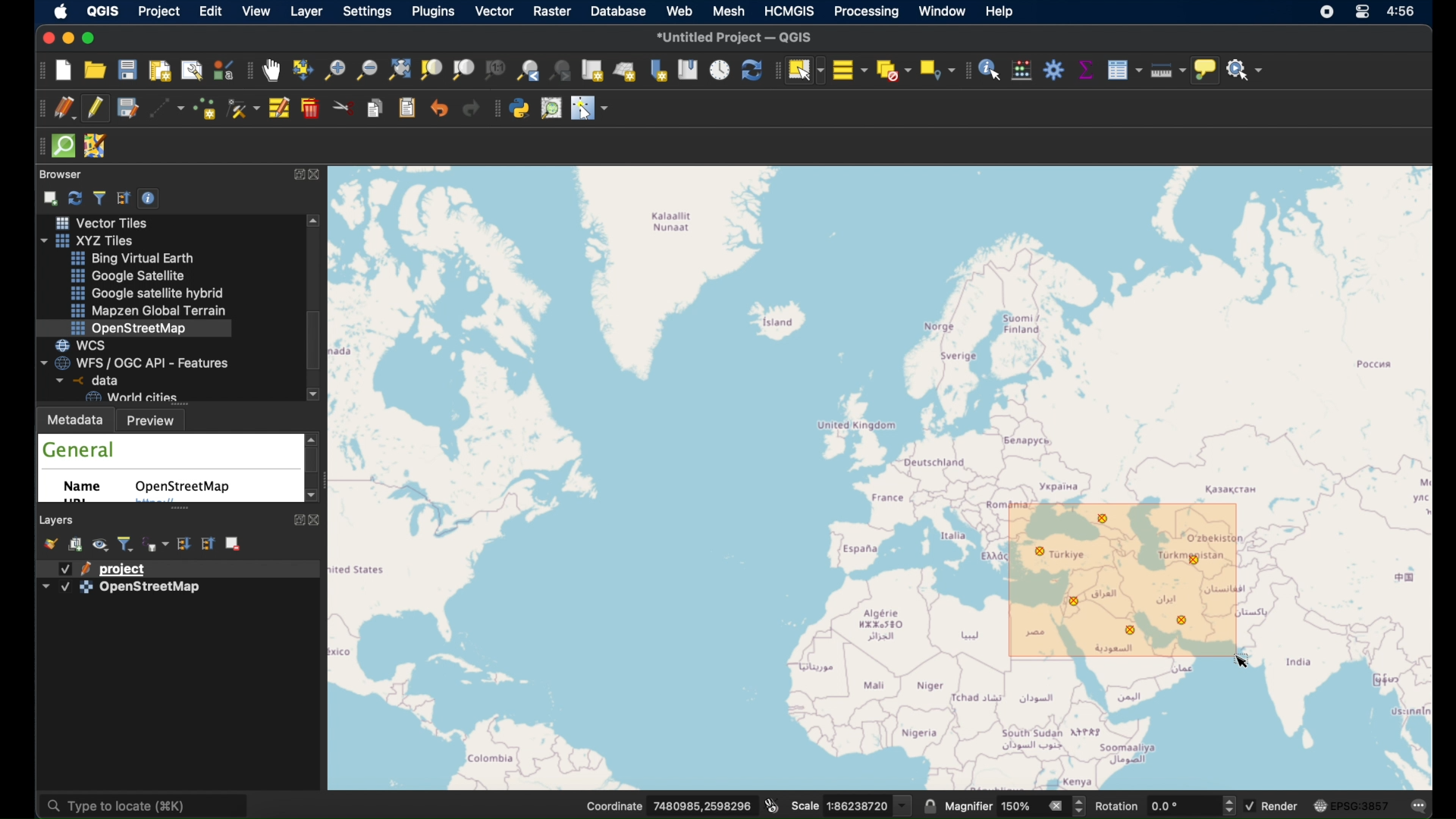 The height and width of the screenshot is (819, 1456). Describe the element at coordinates (1327, 13) in the screenshot. I see `screen recorder icon` at that location.